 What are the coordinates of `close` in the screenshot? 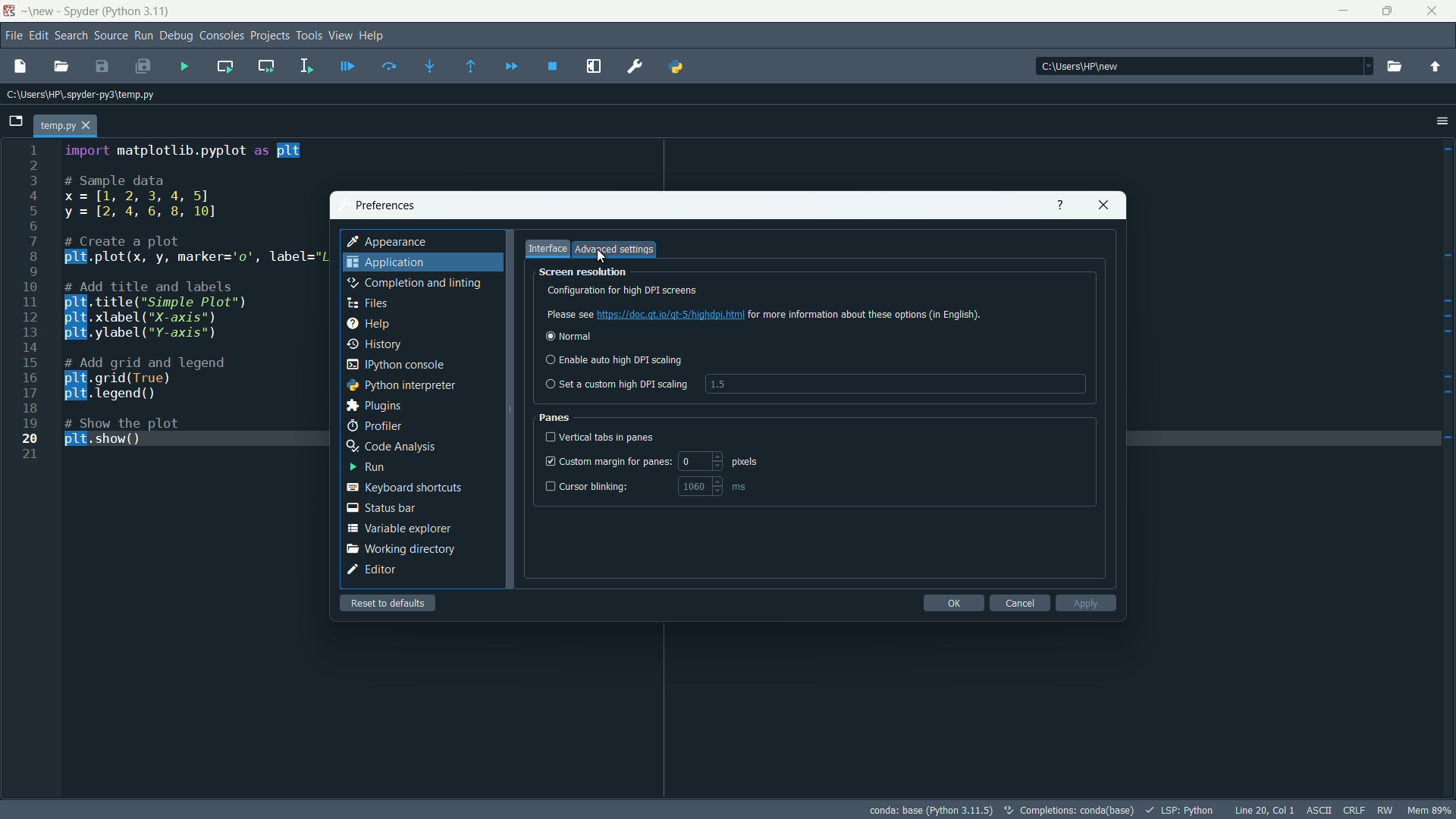 It's located at (1103, 205).